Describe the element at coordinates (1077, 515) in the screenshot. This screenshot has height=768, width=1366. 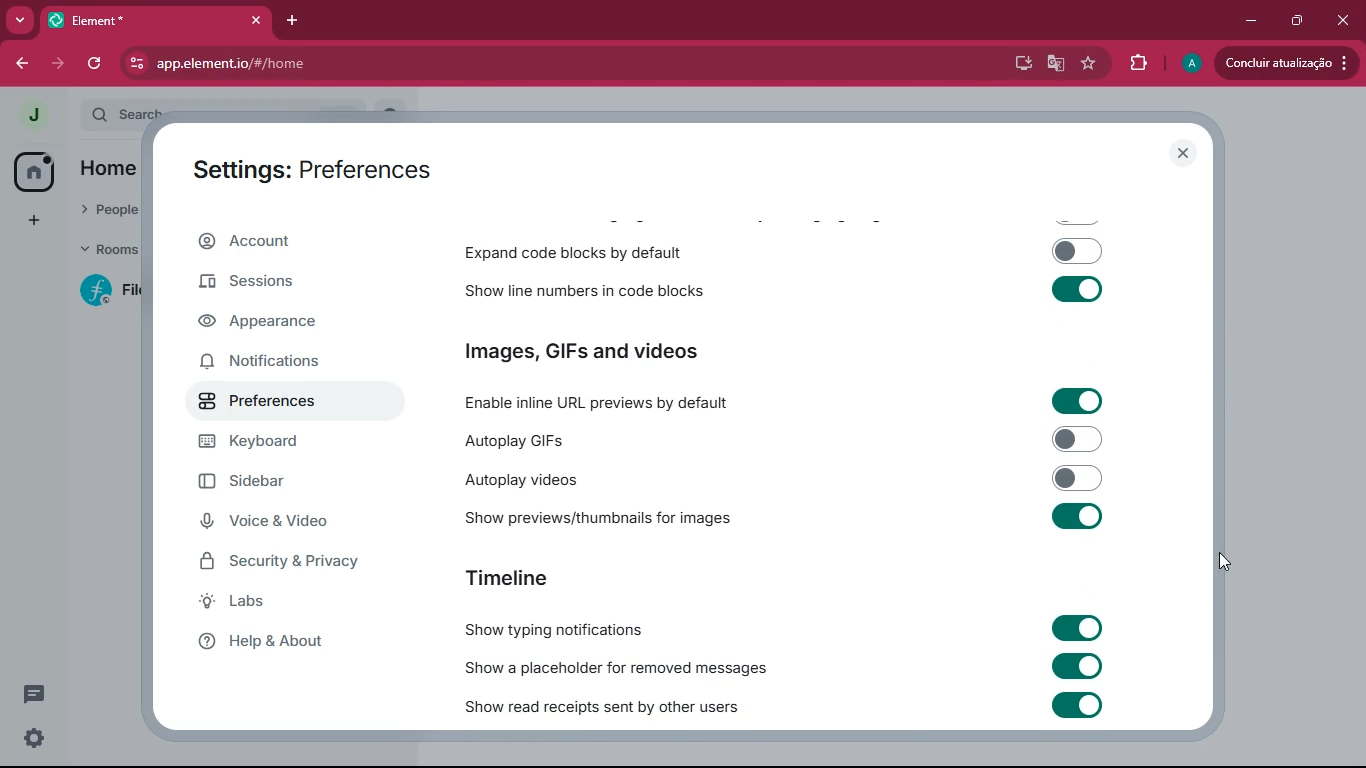
I see `toggle on/off` at that location.